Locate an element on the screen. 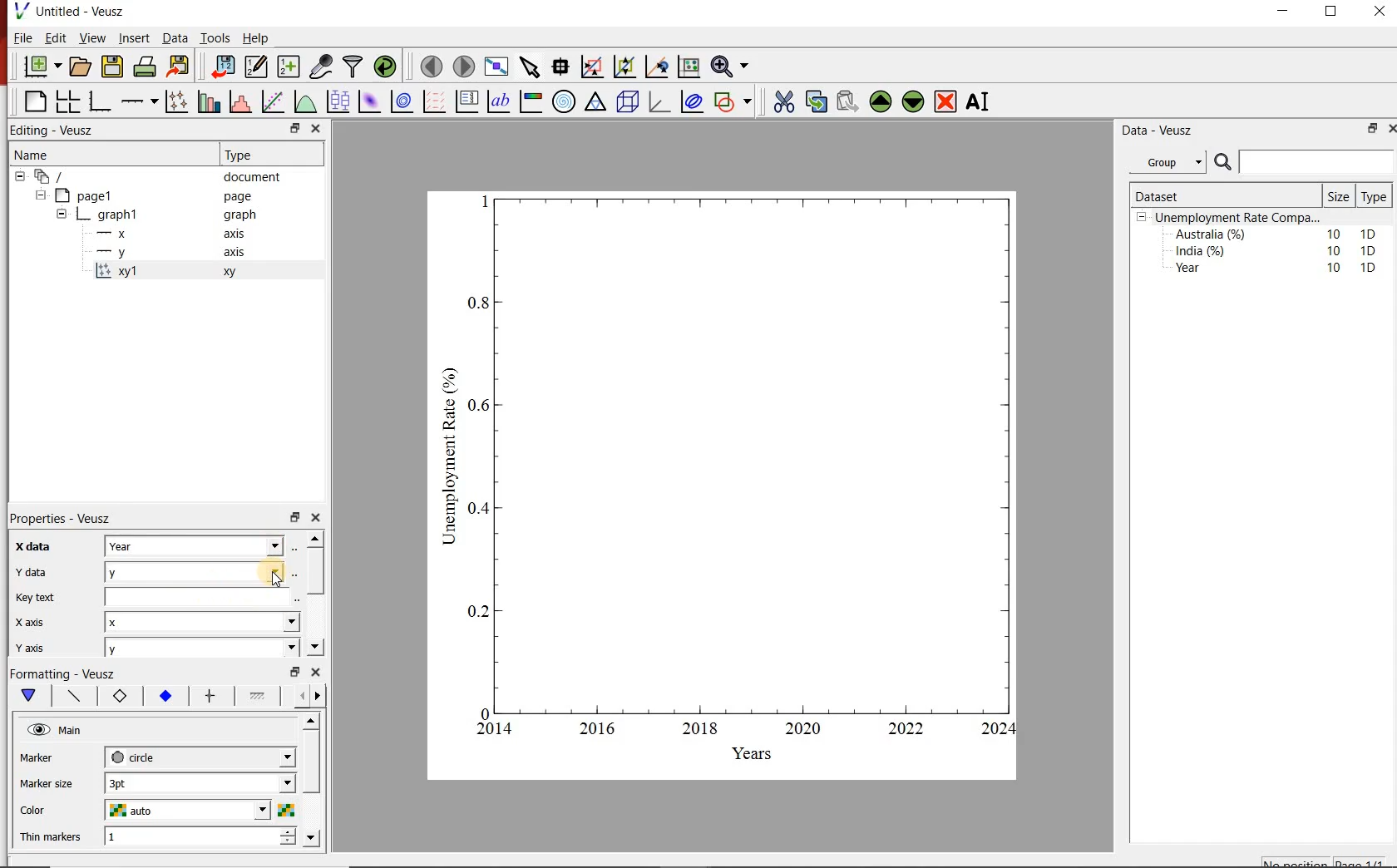 The width and height of the screenshot is (1397, 868). move the widgets down is located at coordinates (911, 101).